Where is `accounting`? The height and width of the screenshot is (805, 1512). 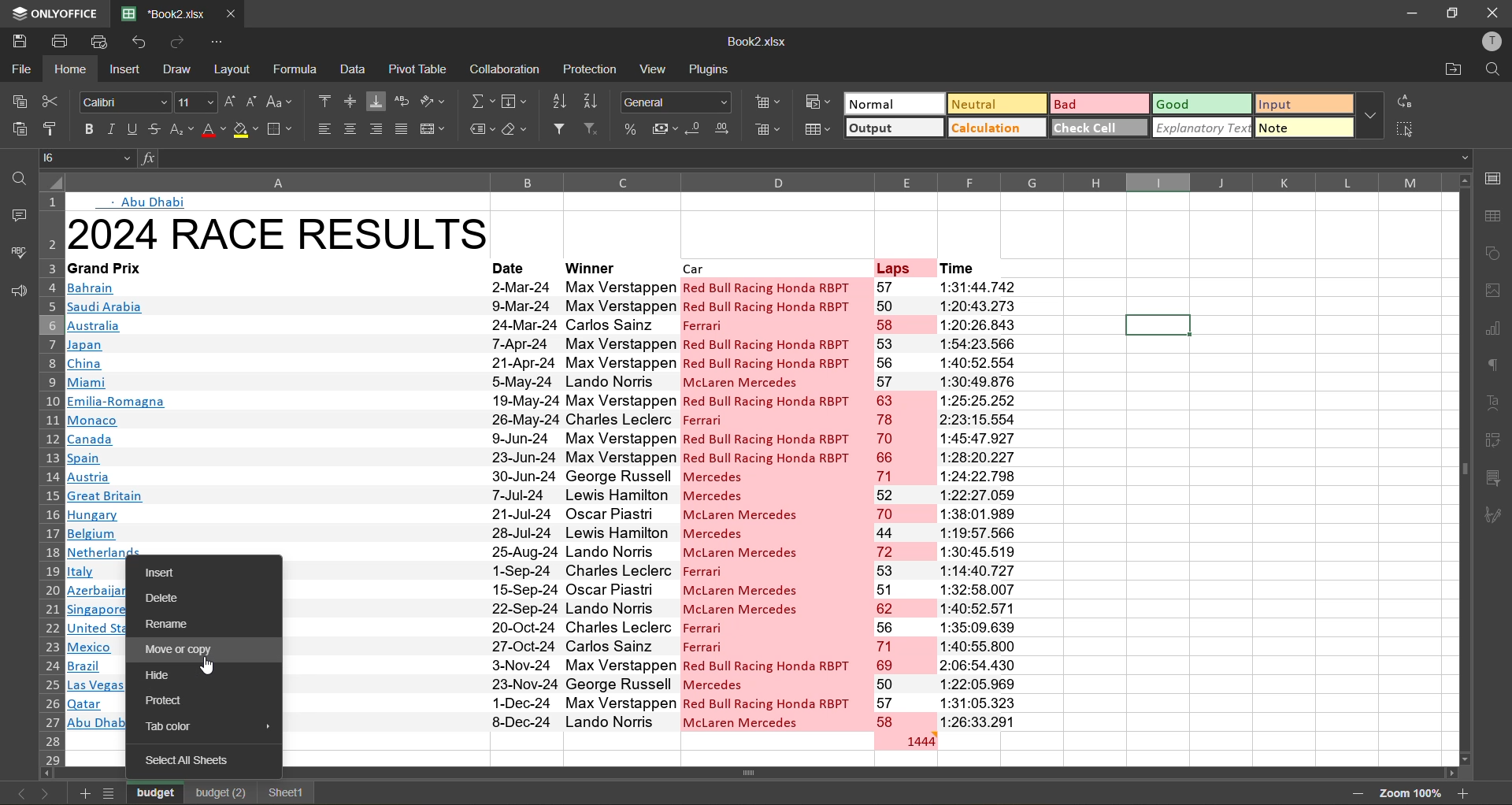
accounting is located at coordinates (666, 129).